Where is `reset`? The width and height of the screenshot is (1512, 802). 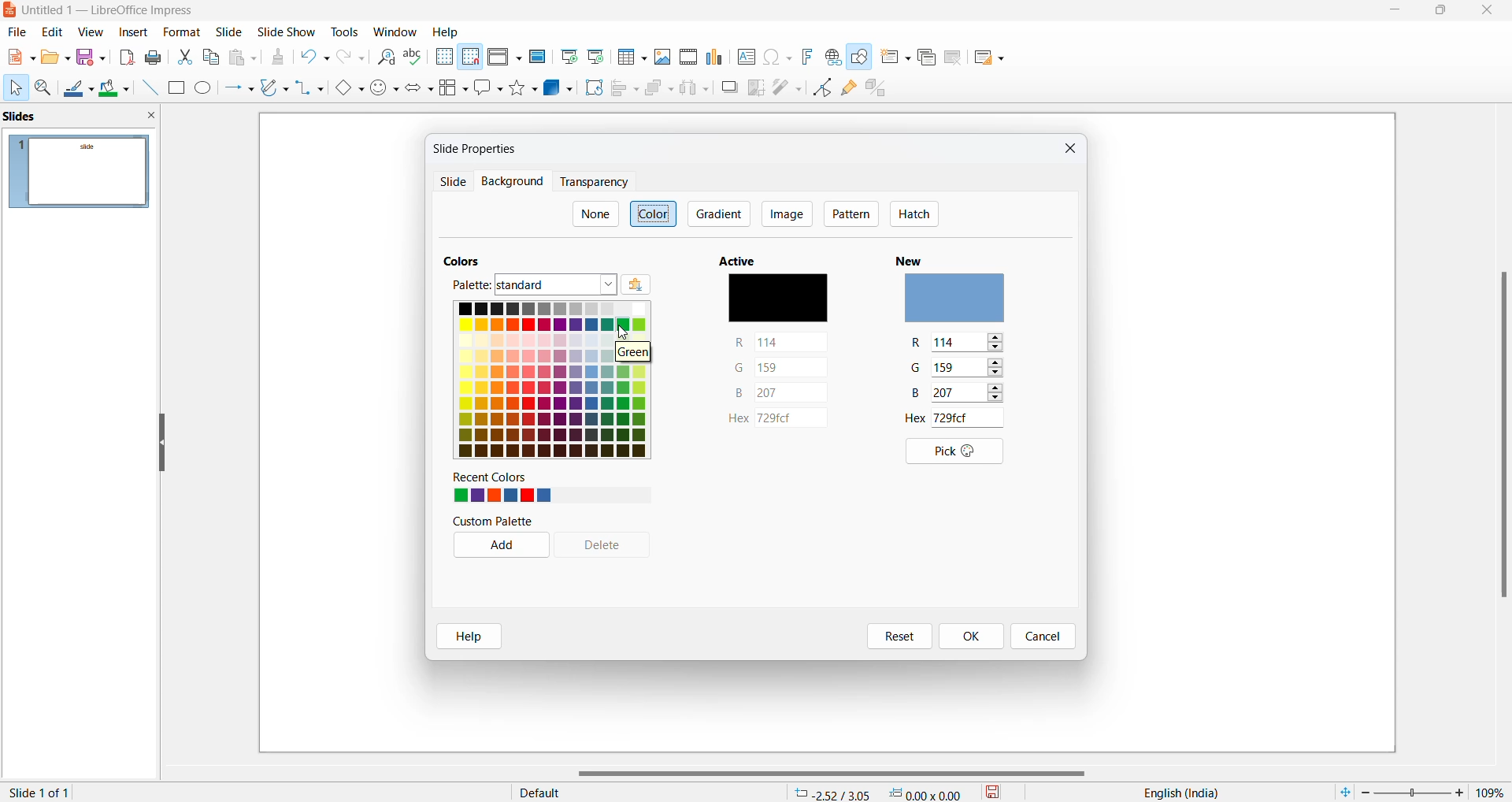
reset is located at coordinates (896, 637).